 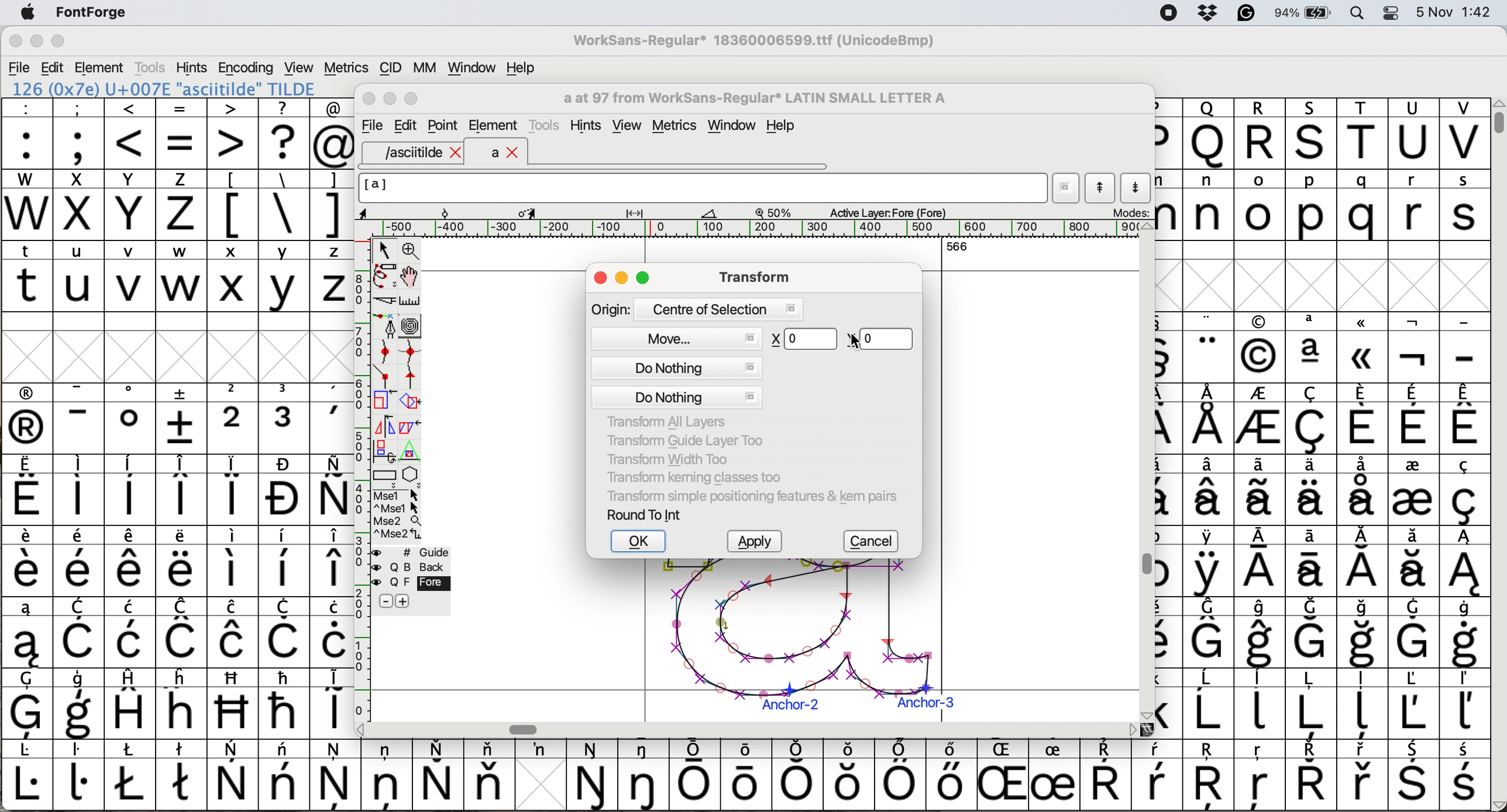 What do you see at coordinates (1365, 705) in the screenshot?
I see `symbol` at bounding box center [1365, 705].